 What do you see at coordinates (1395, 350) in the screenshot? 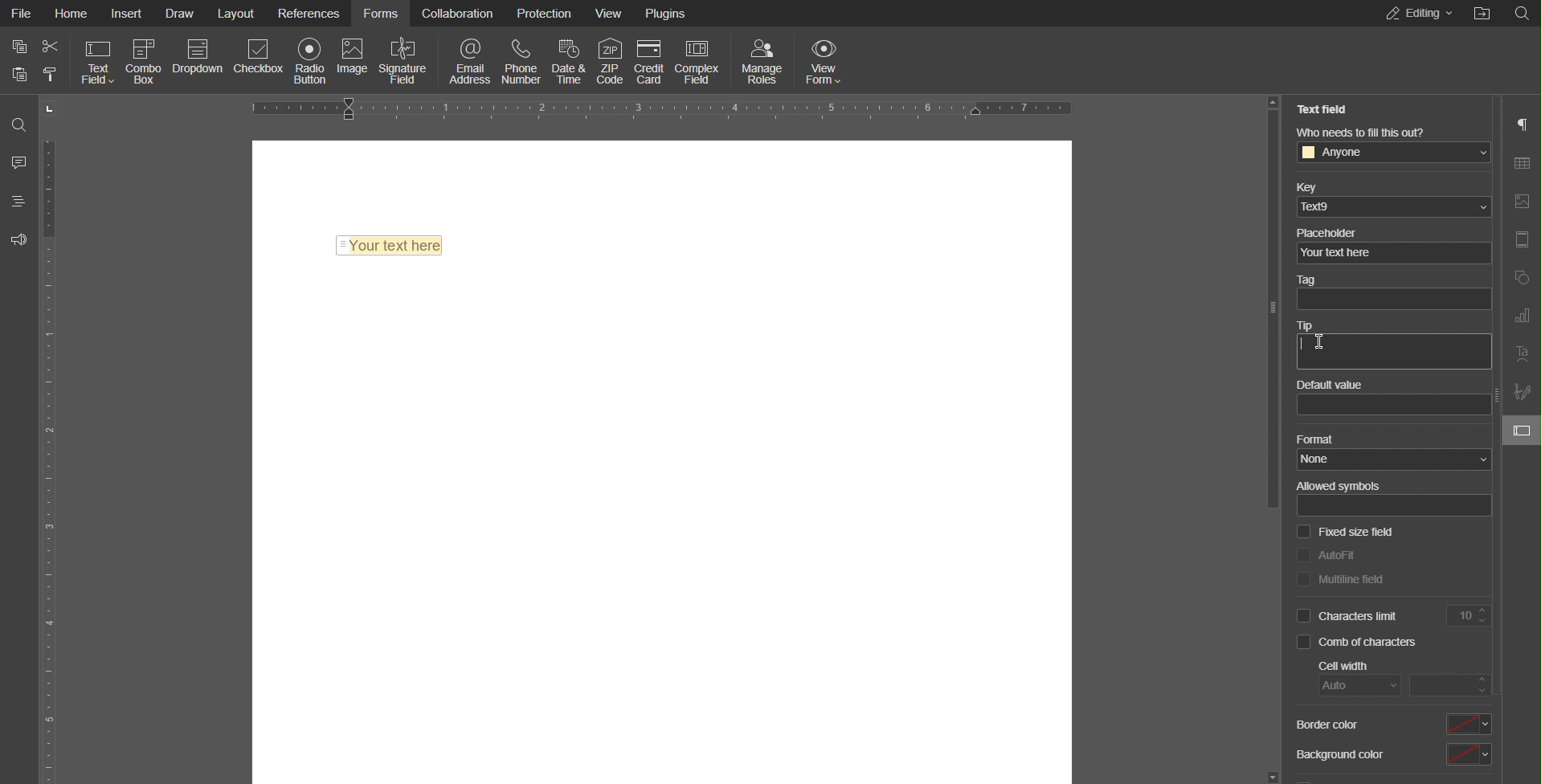
I see `textbox` at bounding box center [1395, 350].